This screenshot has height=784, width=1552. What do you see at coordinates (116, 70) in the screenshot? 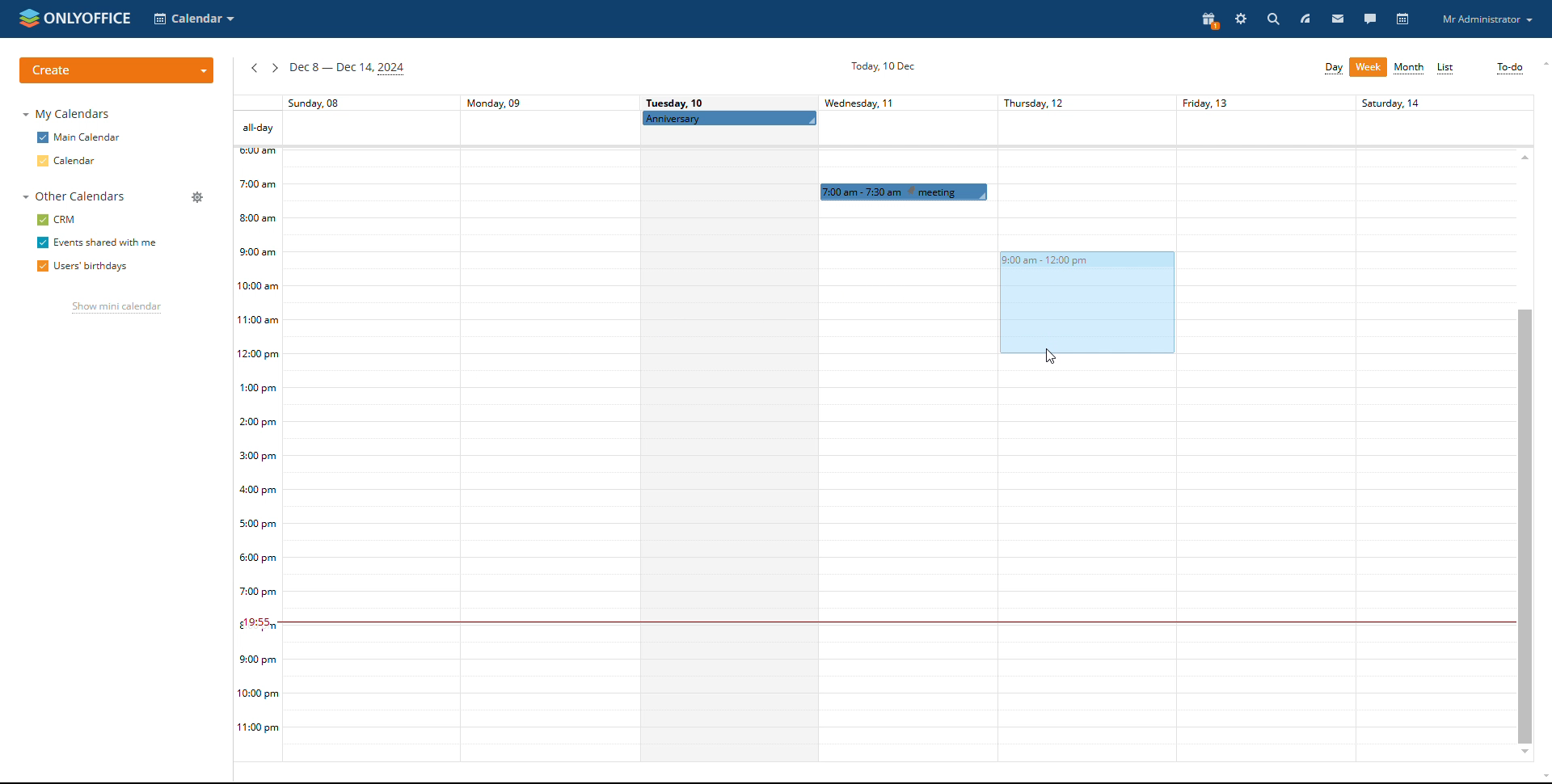
I see `create` at bounding box center [116, 70].